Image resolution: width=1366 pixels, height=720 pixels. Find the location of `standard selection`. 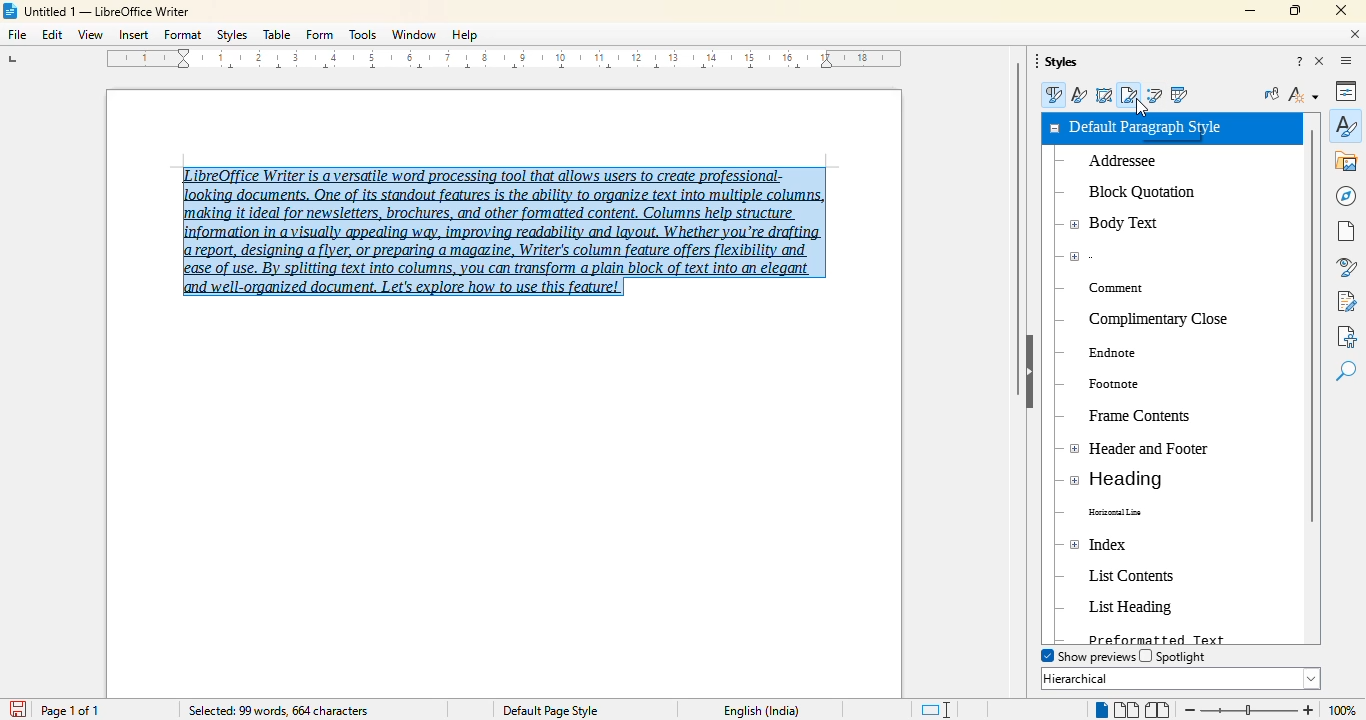

standard selection is located at coordinates (934, 710).